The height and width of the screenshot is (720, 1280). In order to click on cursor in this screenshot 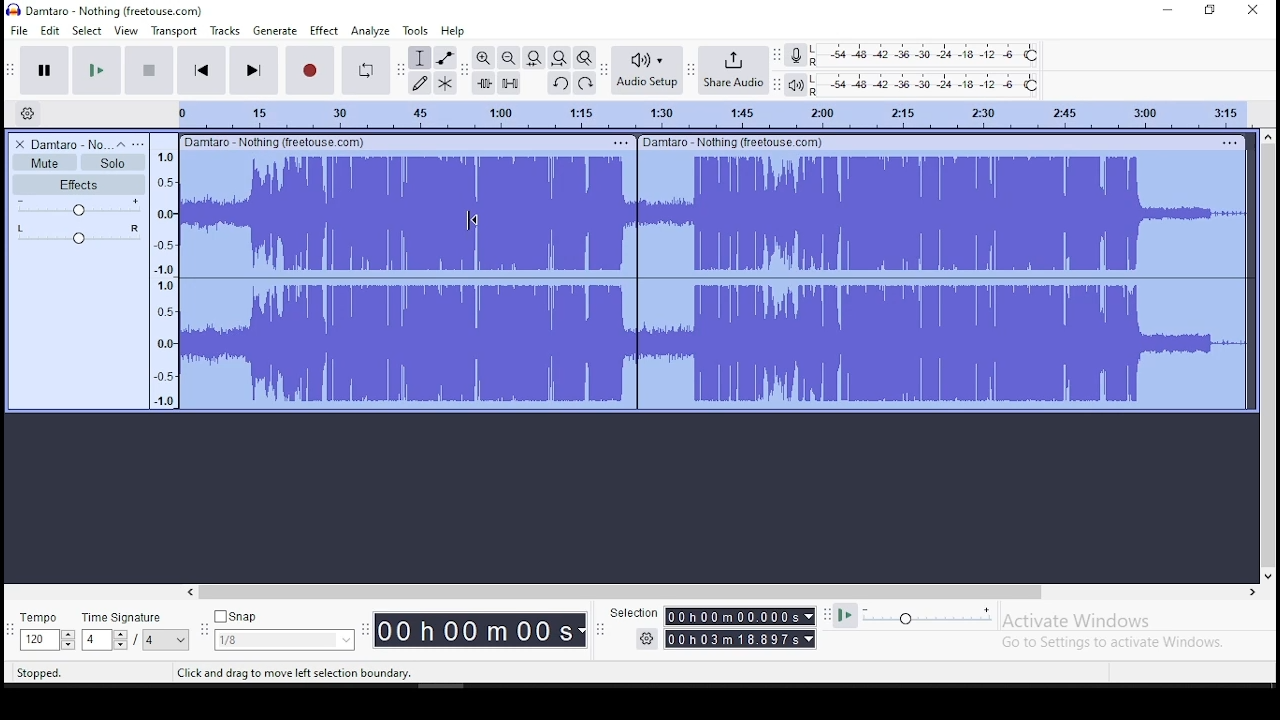, I will do `click(472, 221)`.